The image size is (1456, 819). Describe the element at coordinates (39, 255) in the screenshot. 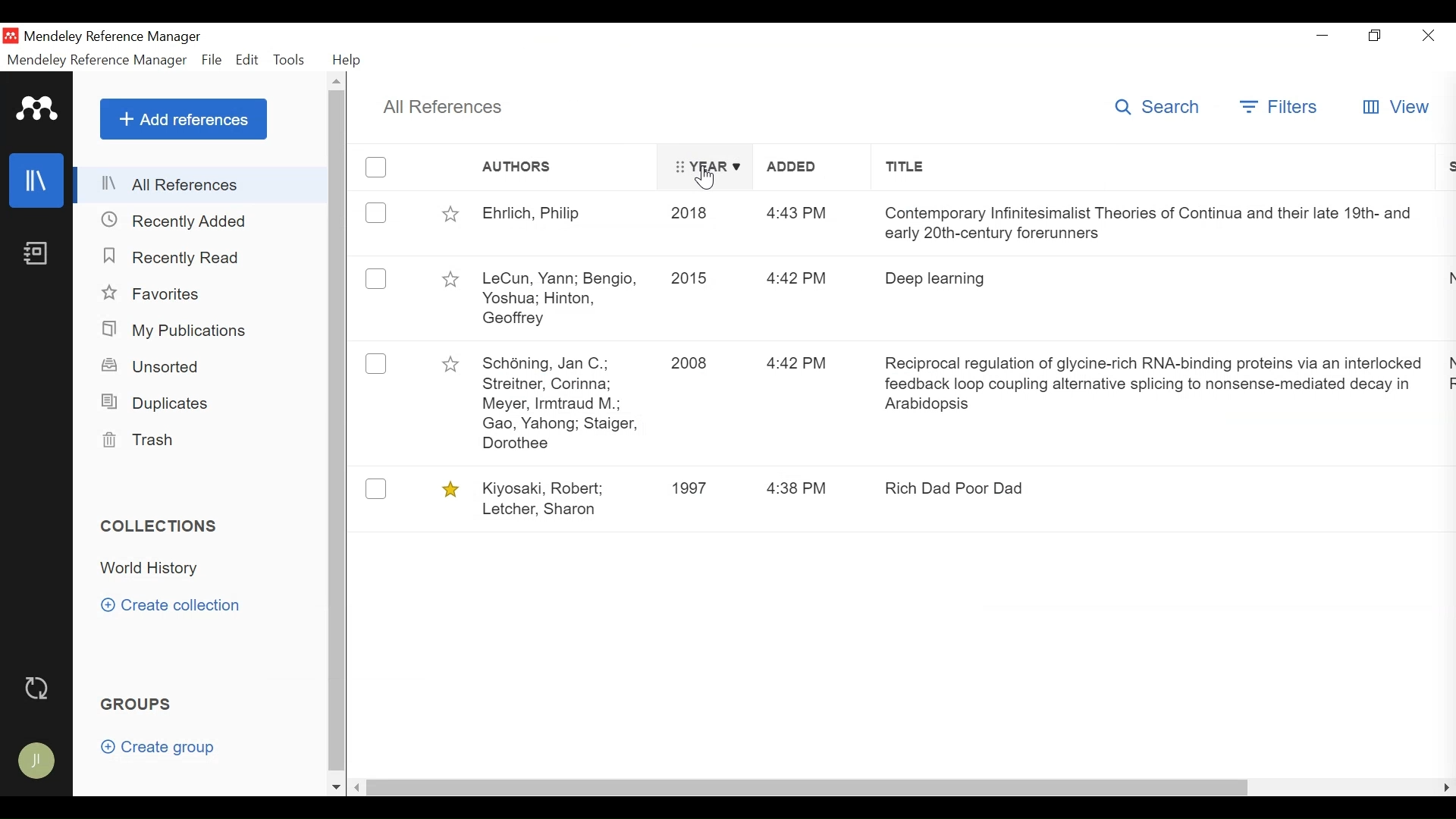

I see `Notebook` at that location.